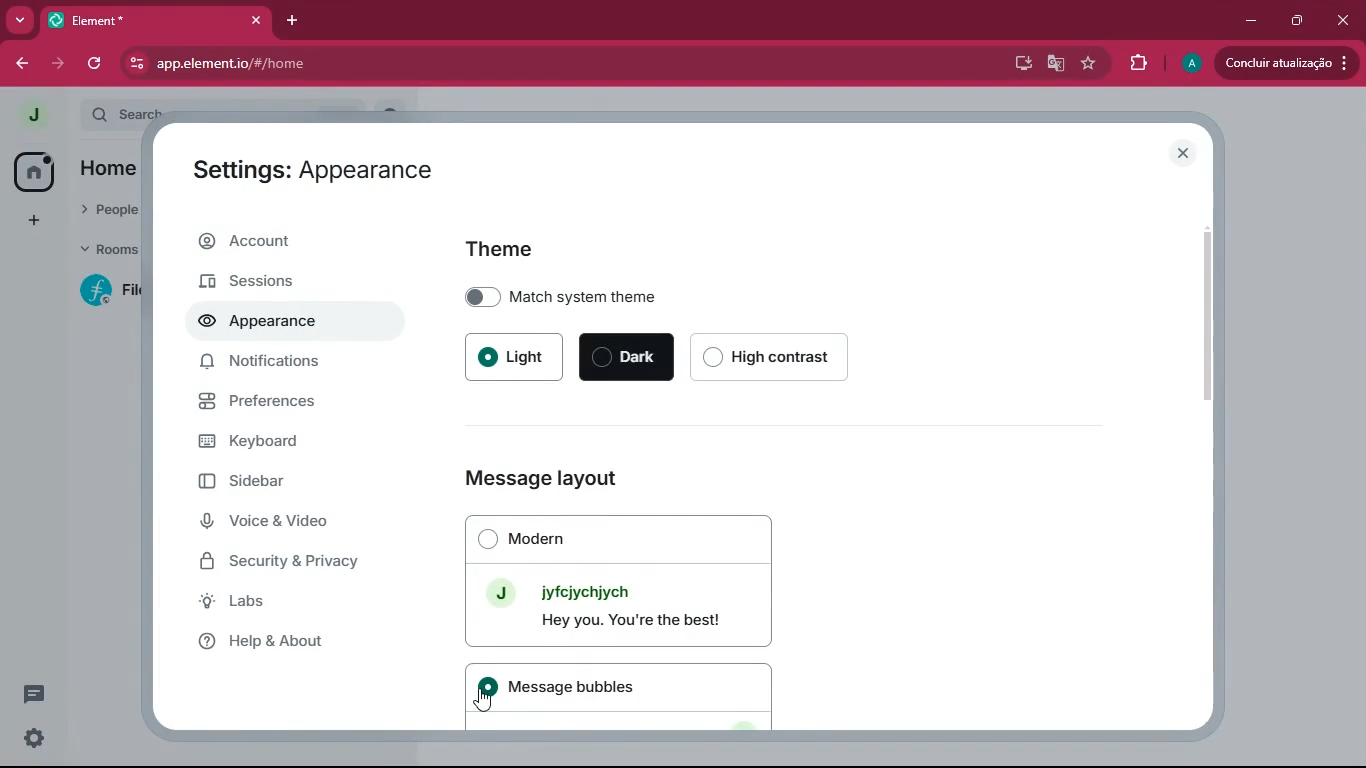  I want to click on theme , so click(523, 247).